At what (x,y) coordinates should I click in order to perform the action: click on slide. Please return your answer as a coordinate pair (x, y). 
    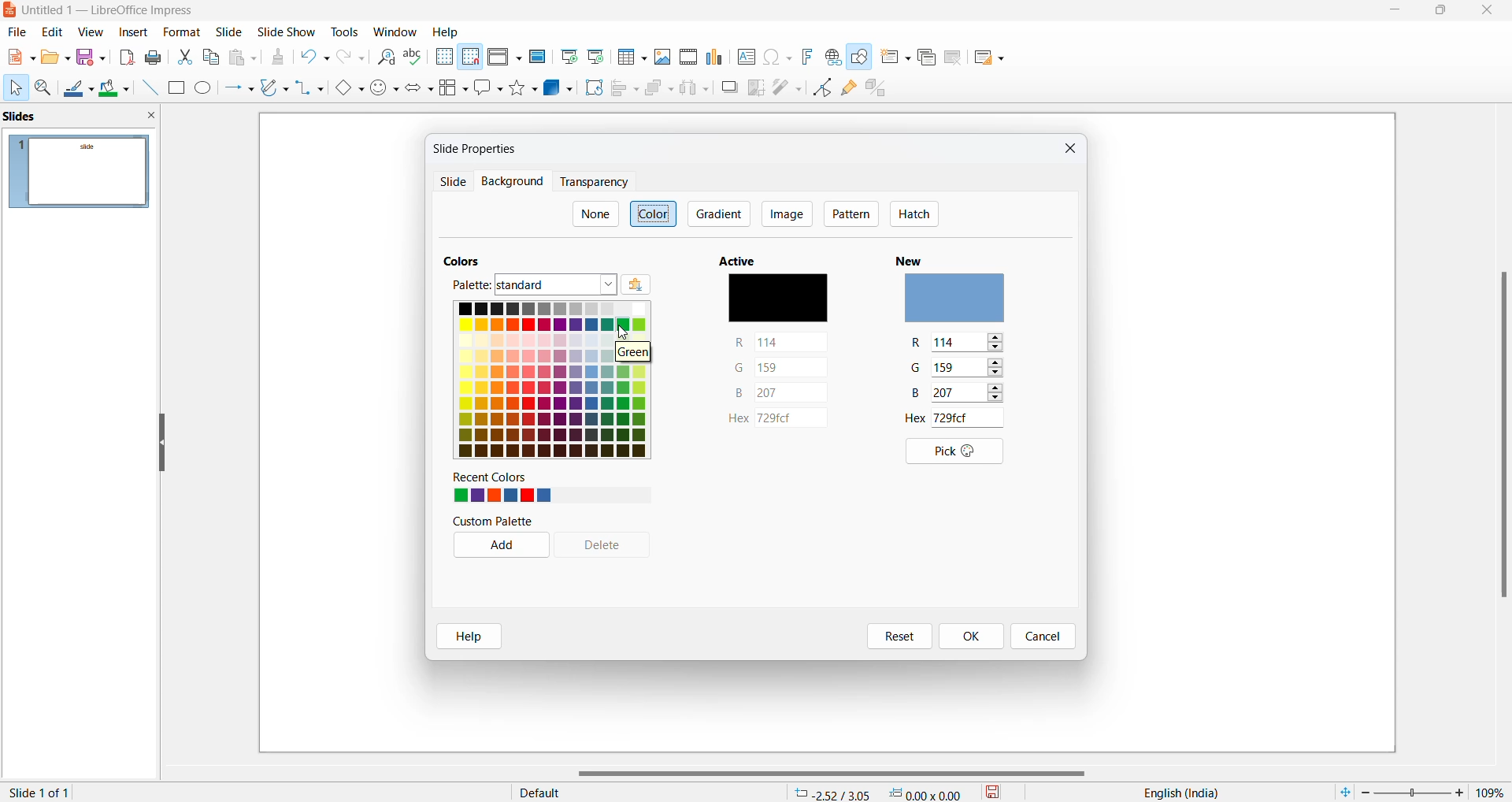
    Looking at the image, I should click on (181, 32).